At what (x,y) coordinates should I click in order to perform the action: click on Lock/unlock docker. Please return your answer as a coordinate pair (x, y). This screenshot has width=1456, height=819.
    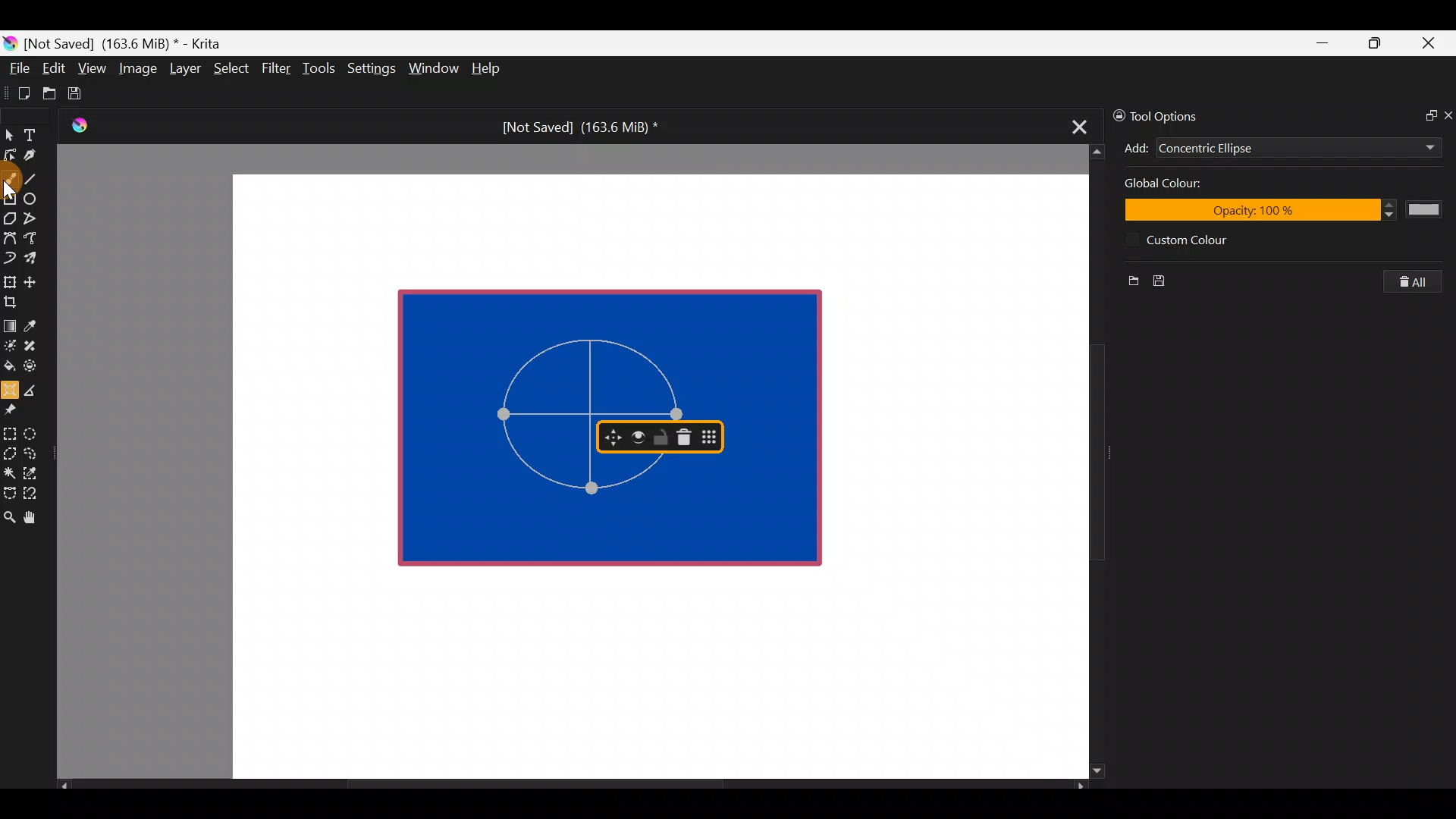
    Looking at the image, I should click on (1116, 113).